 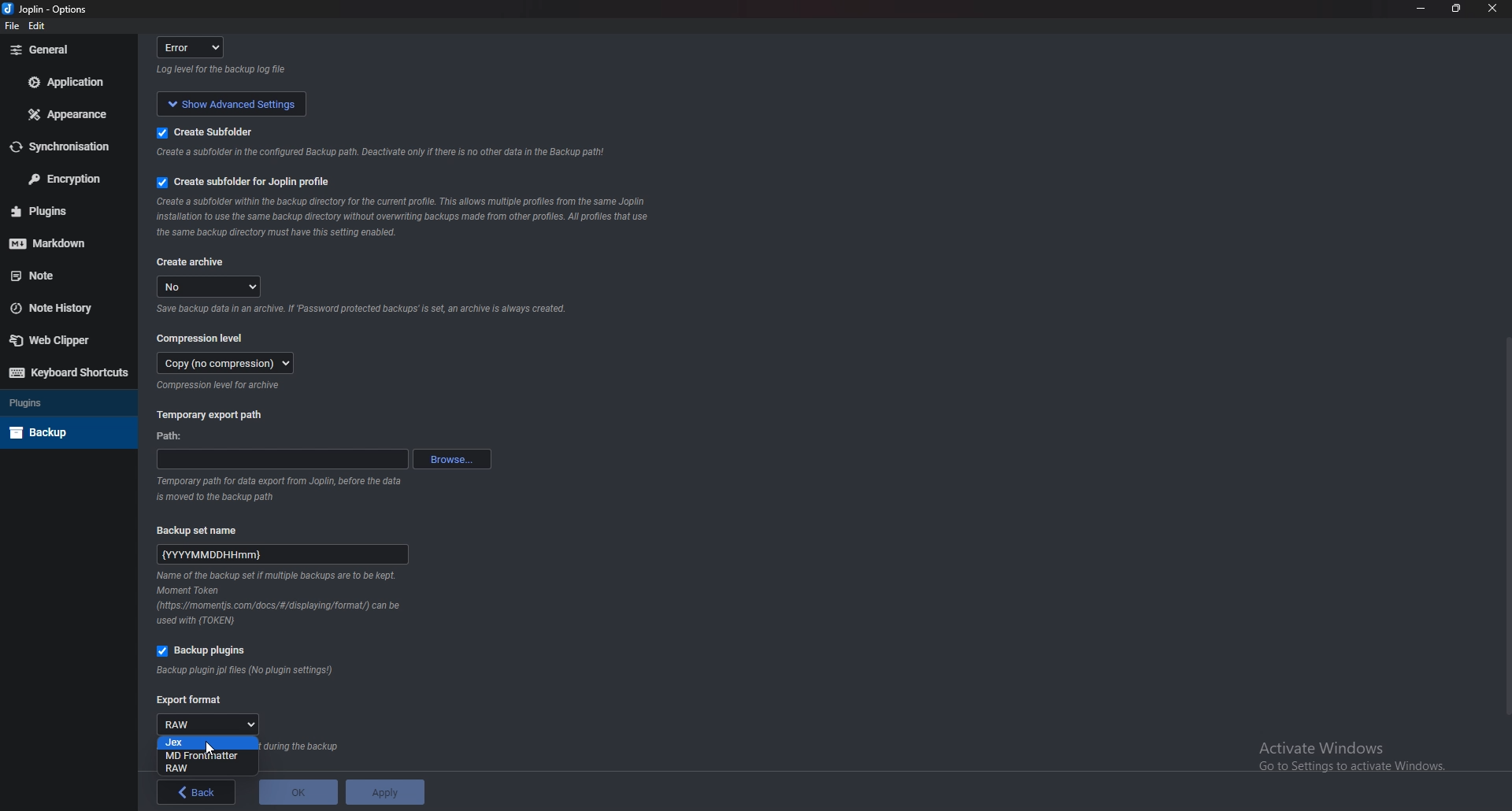 I want to click on no, so click(x=211, y=287).